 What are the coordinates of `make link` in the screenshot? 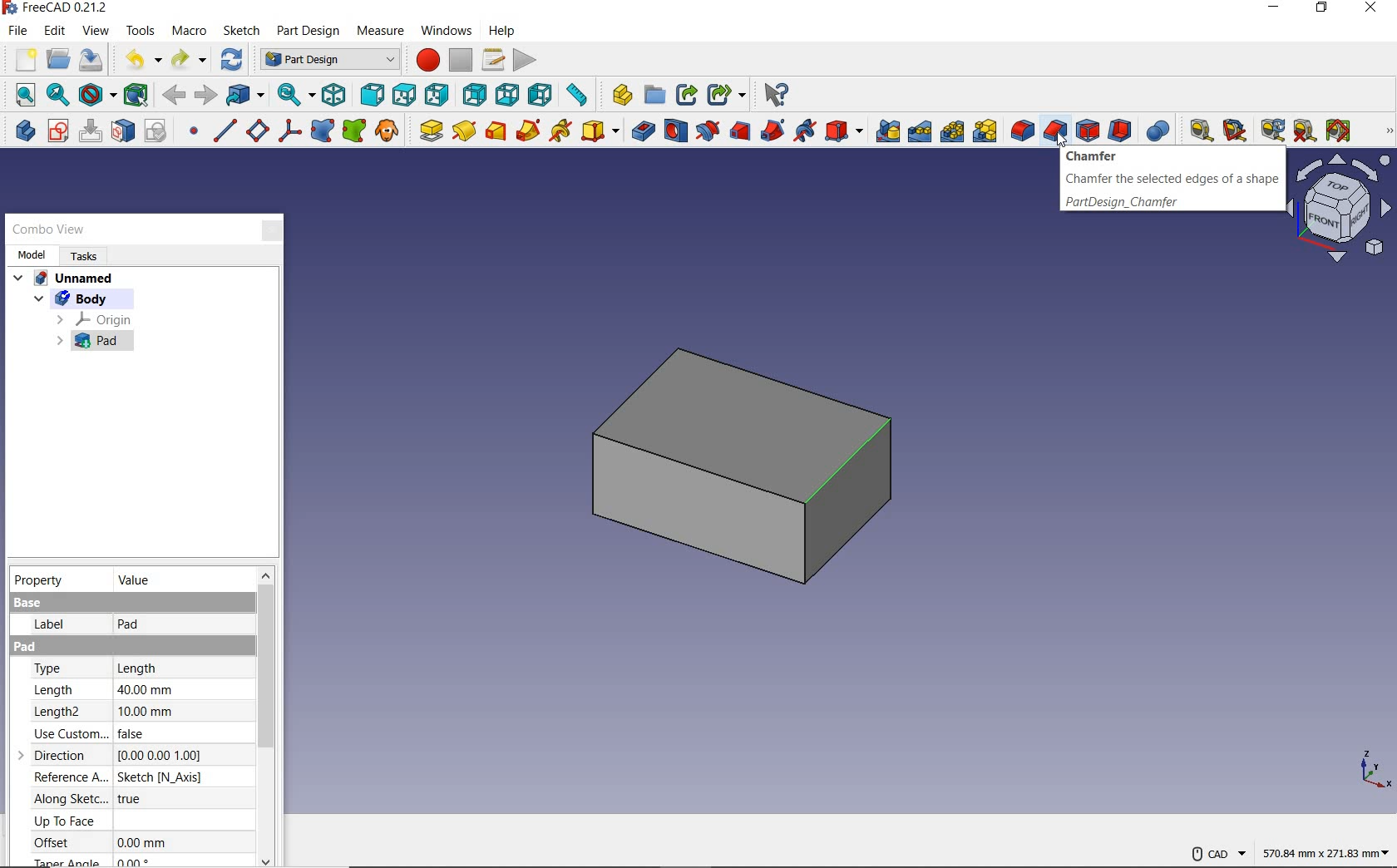 It's located at (685, 96).